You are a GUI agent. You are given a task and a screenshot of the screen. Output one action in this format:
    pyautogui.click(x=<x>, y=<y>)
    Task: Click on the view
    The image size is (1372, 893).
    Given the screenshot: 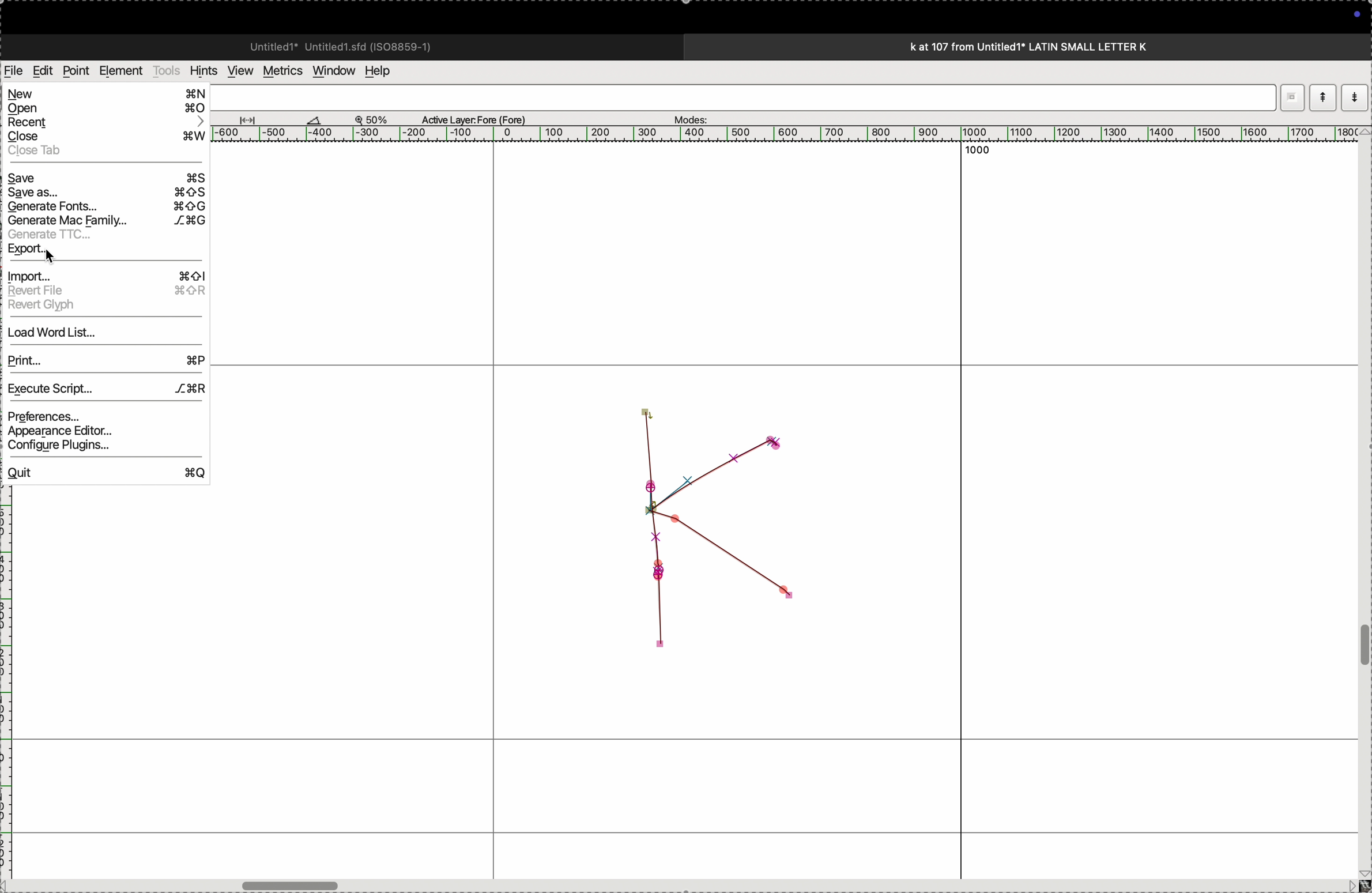 What is the action you would take?
    pyautogui.click(x=237, y=71)
    